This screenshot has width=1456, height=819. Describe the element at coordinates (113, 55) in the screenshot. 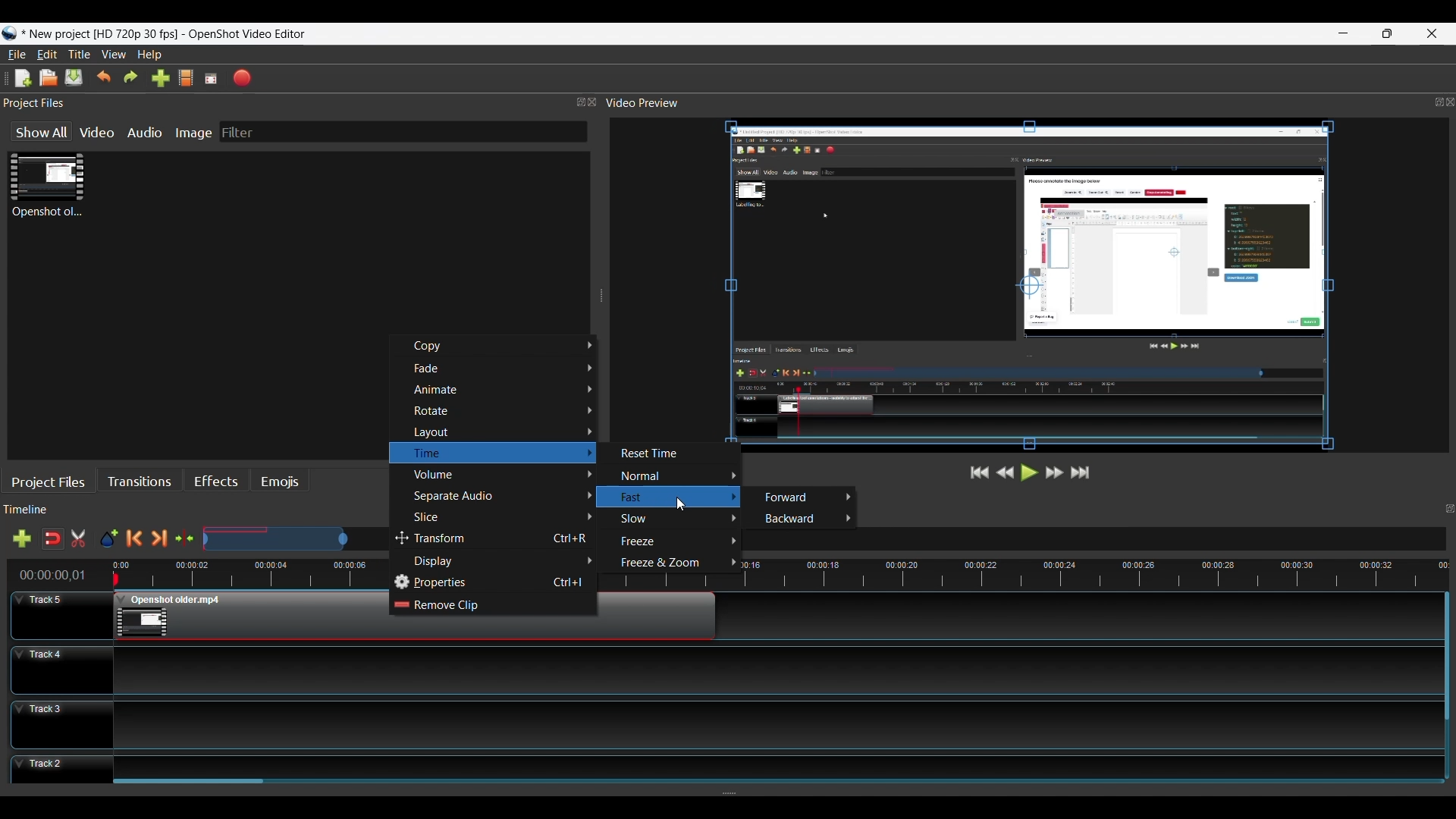

I see `View` at that location.